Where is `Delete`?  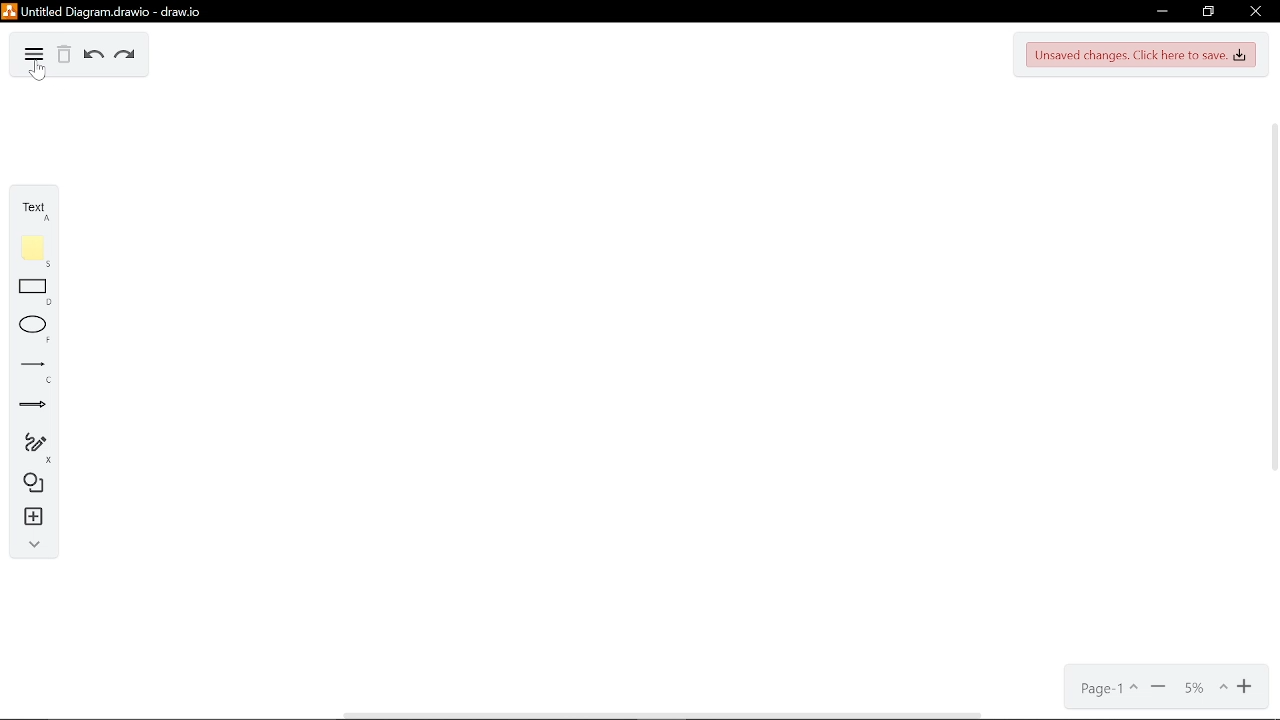 Delete is located at coordinates (62, 58).